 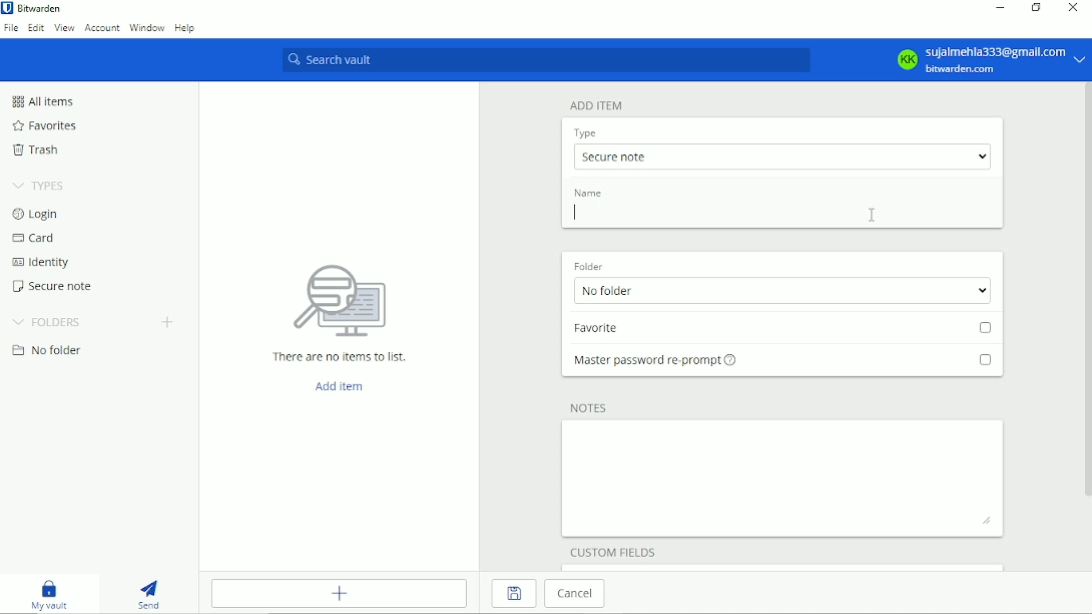 I want to click on Folder, so click(x=589, y=264).